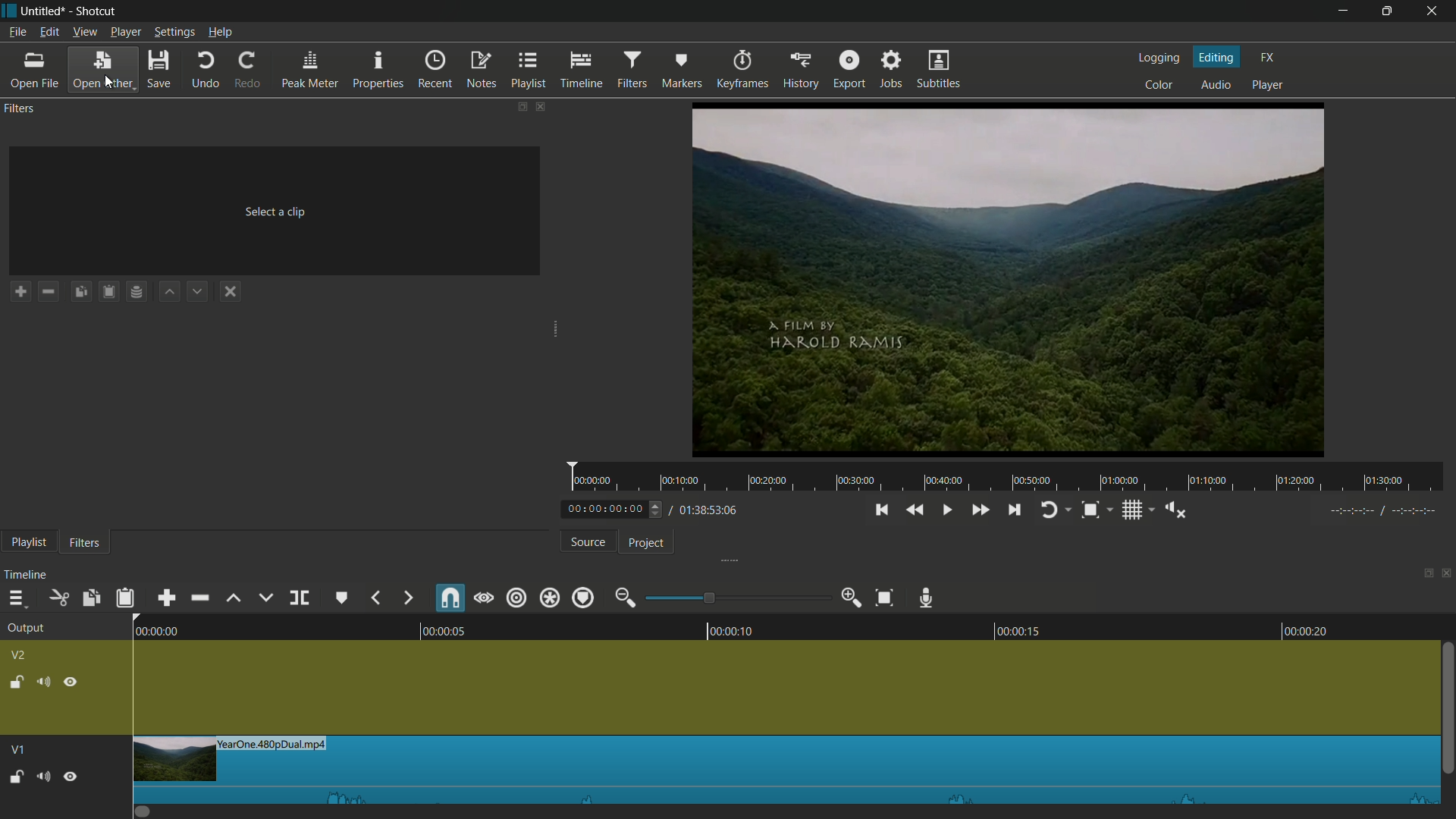 The height and width of the screenshot is (819, 1456). Describe the element at coordinates (83, 292) in the screenshot. I see `copy checked filters` at that location.